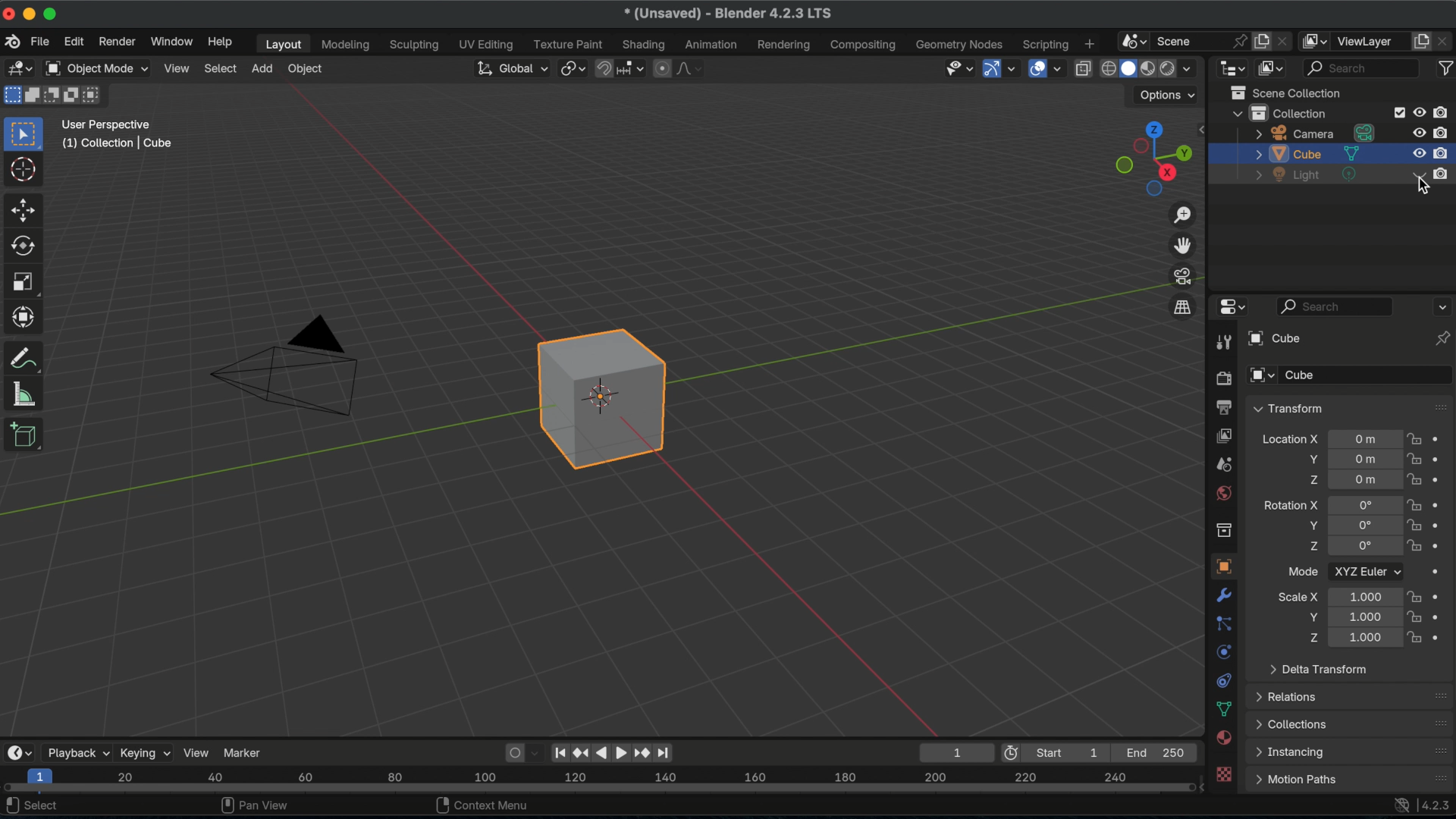 This screenshot has height=819, width=1456. What do you see at coordinates (28, 435) in the screenshot?
I see `add cube` at bounding box center [28, 435].